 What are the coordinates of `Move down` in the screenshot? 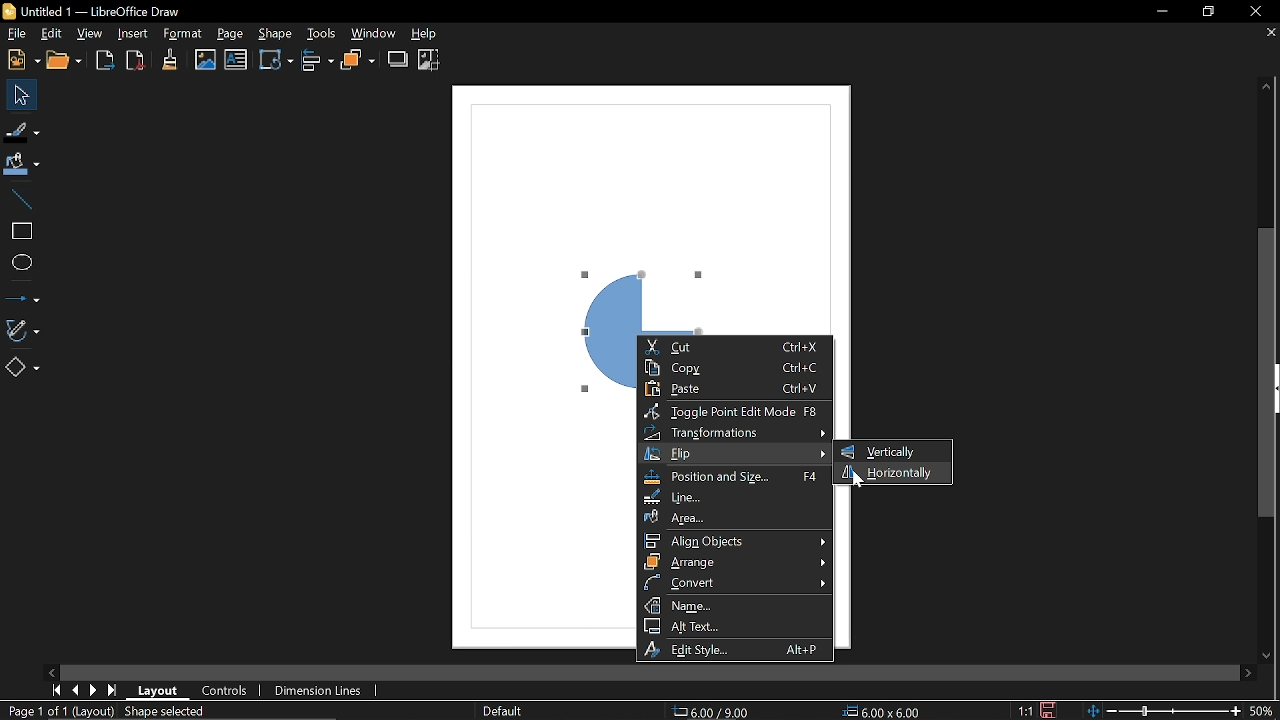 It's located at (1270, 654).